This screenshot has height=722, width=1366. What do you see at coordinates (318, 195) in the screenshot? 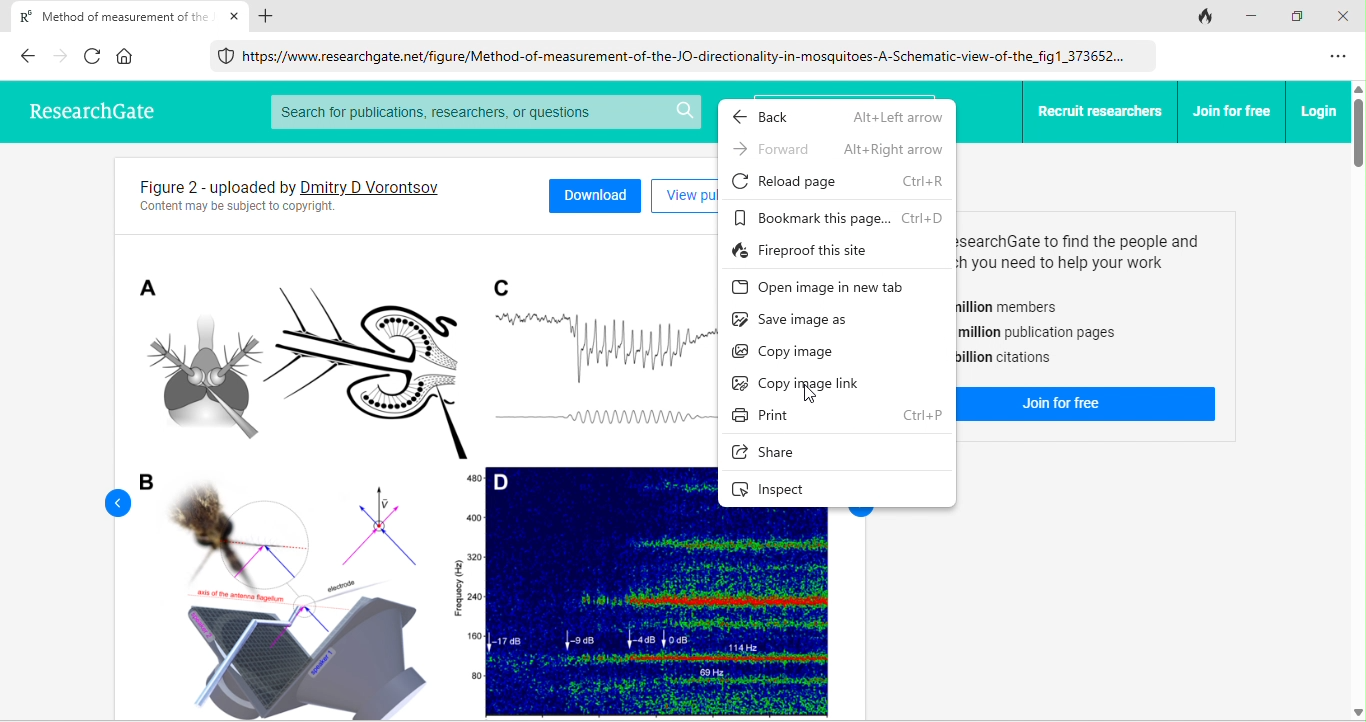
I see `Figure 2 - uploaded by Dmitry D Vorontsov - content may be subject to copyright` at bounding box center [318, 195].